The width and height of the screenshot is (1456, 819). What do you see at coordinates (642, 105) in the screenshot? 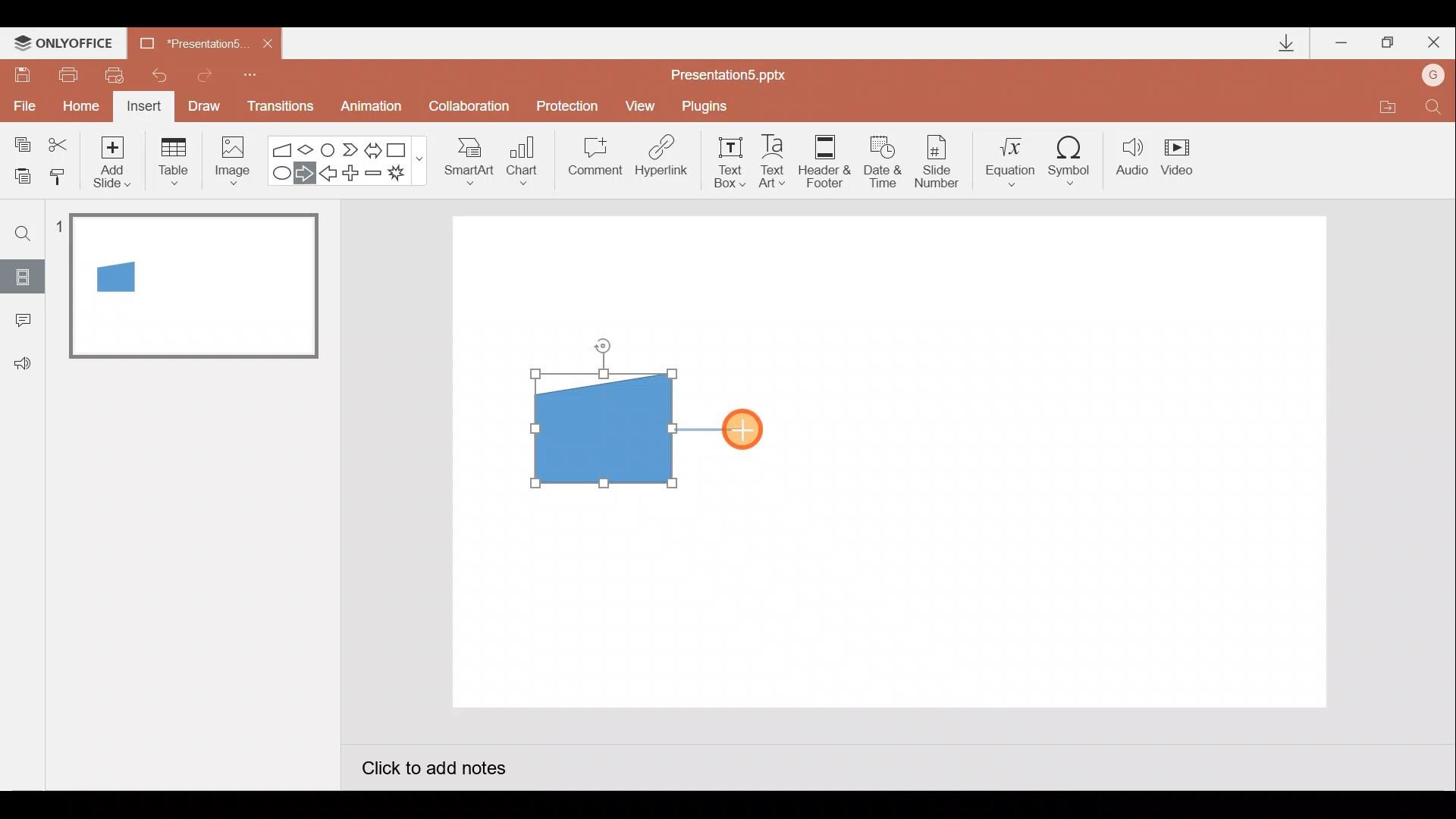
I see `View` at bounding box center [642, 105].